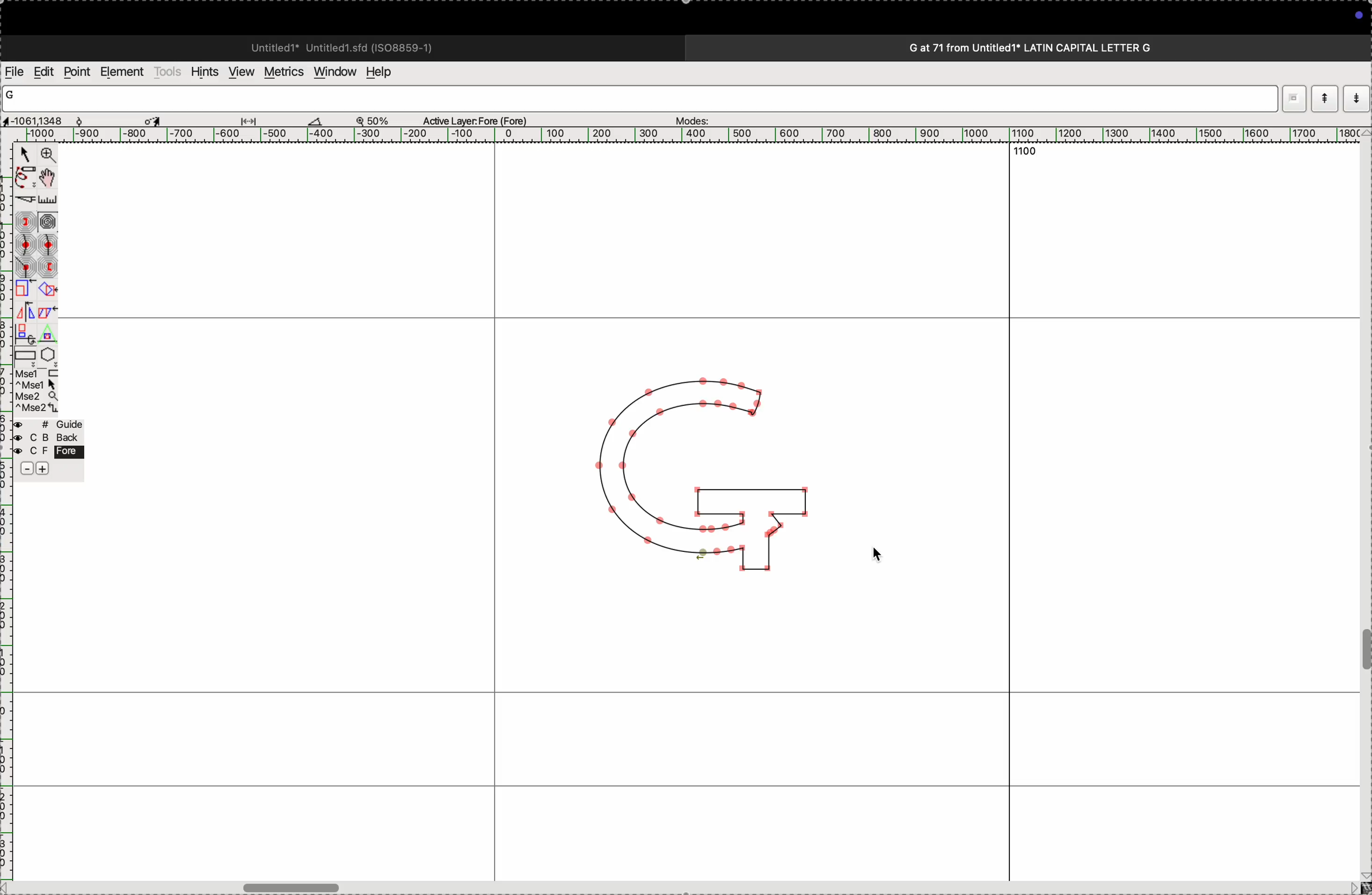  Describe the element at coordinates (469, 121) in the screenshot. I see `Active Layer: Fore (Fore)` at that location.